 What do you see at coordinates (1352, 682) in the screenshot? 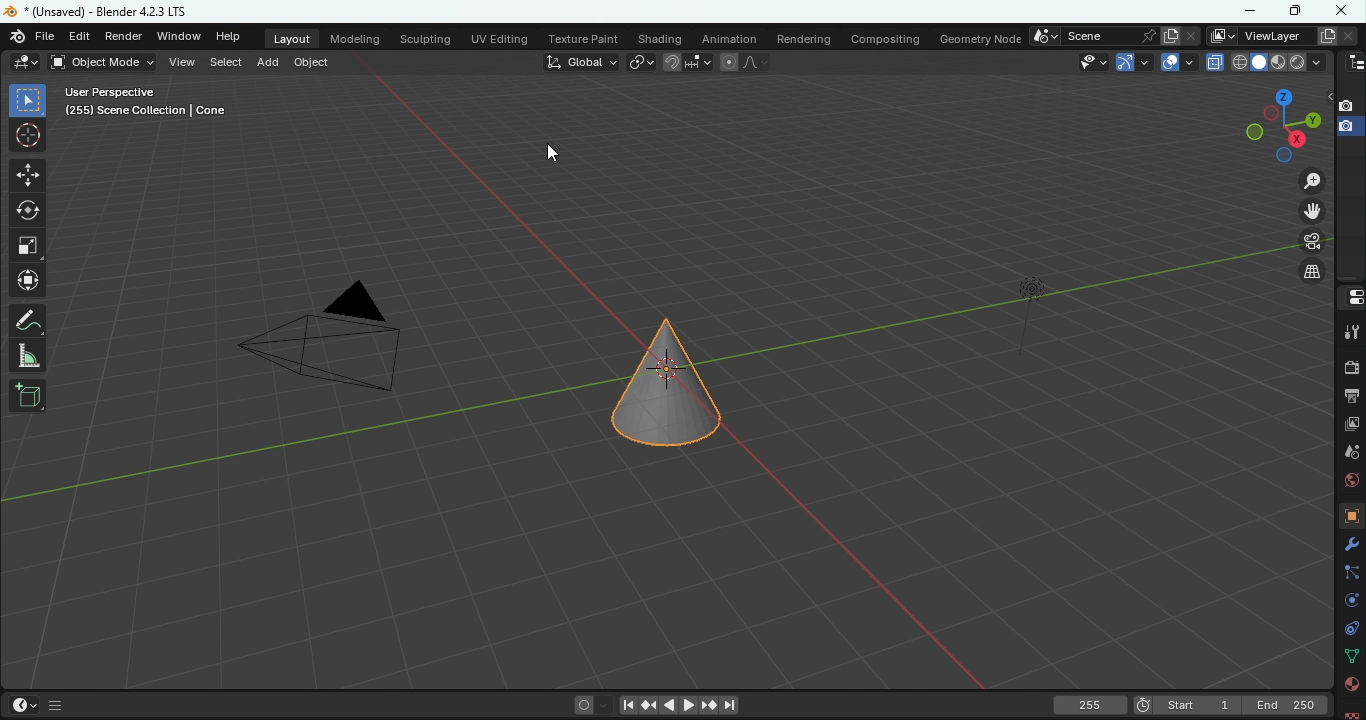
I see `Material` at bounding box center [1352, 682].